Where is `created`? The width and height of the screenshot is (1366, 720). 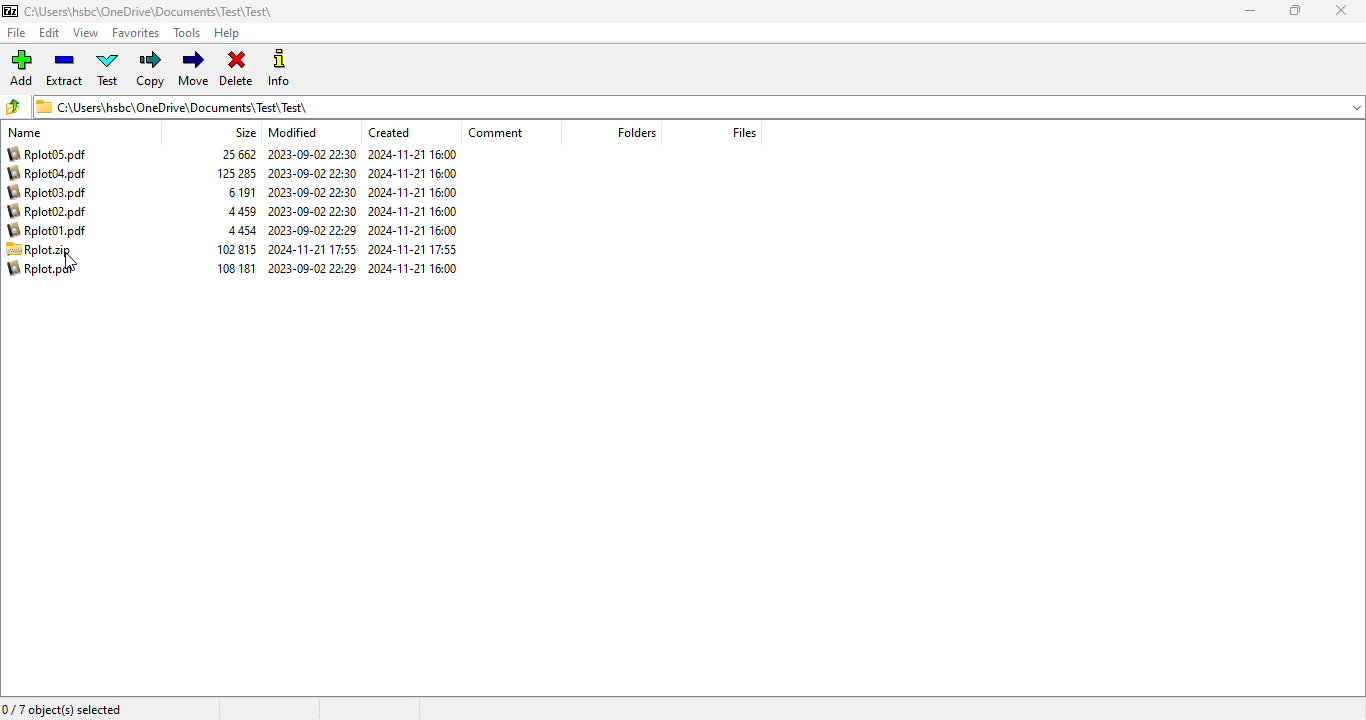
created is located at coordinates (391, 133).